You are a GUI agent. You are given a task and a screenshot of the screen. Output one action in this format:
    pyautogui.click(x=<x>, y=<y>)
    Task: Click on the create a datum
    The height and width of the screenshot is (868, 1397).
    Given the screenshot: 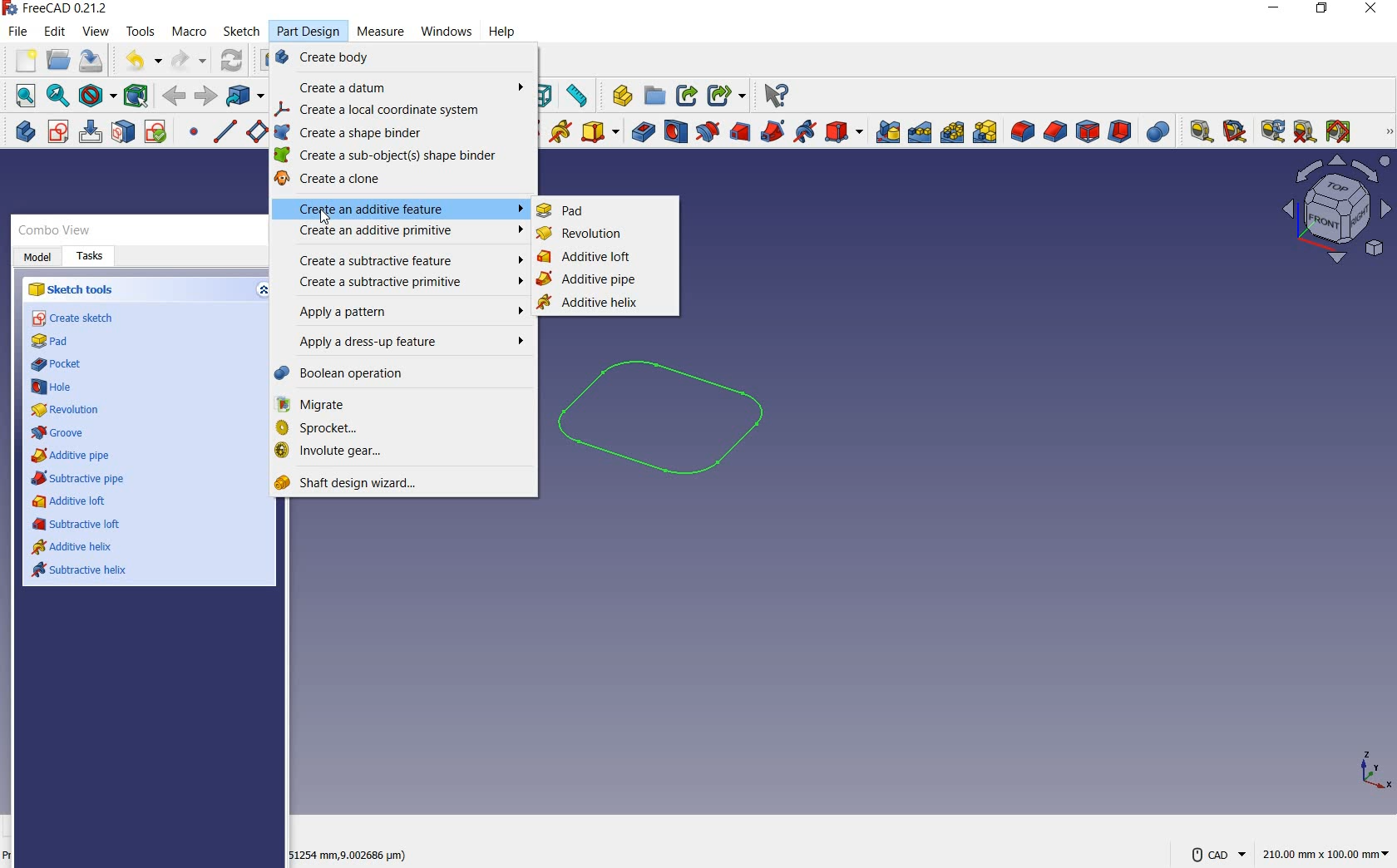 What is the action you would take?
    pyautogui.click(x=408, y=89)
    